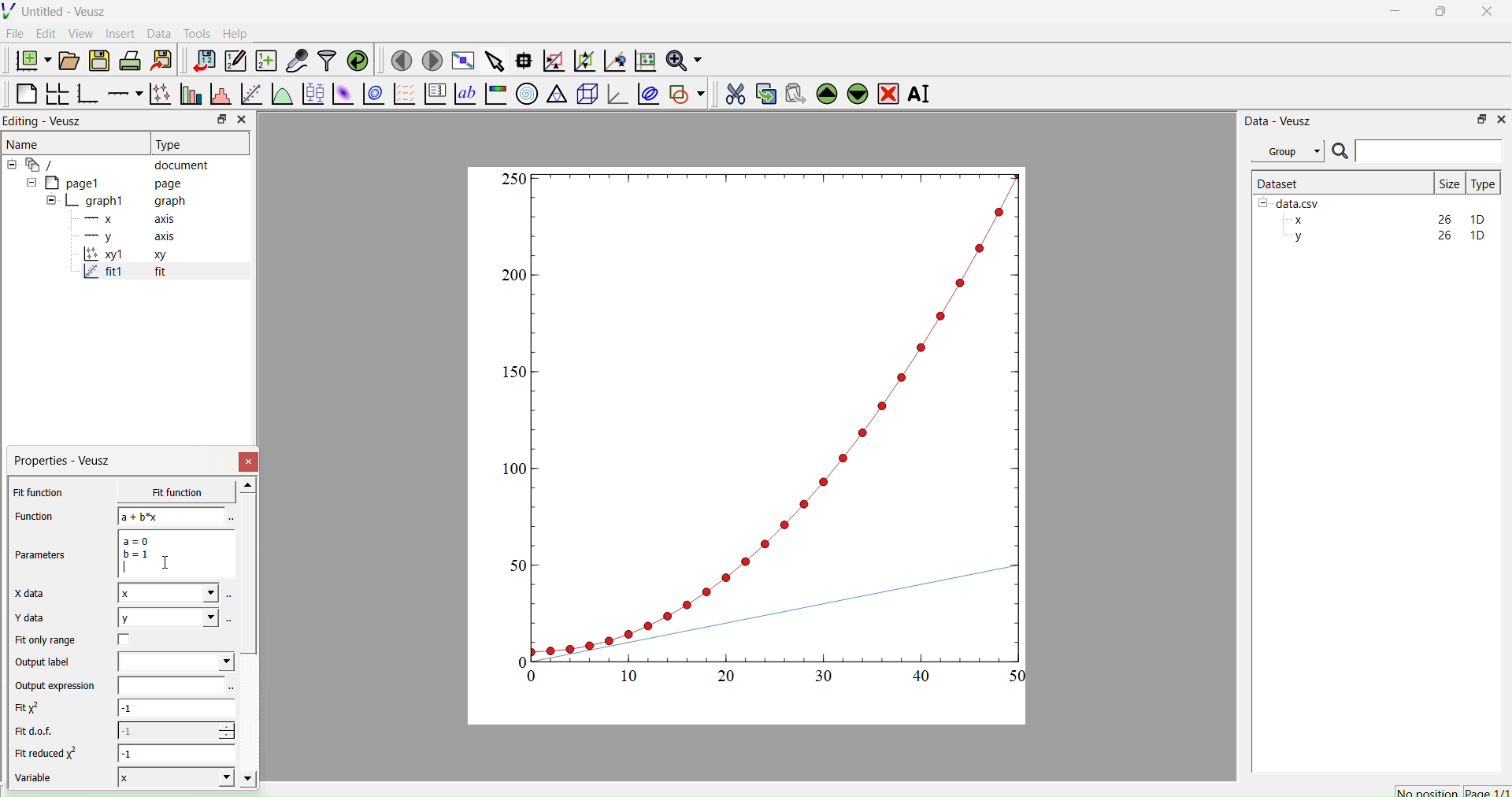  What do you see at coordinates (1385, 220) in the screenshot?
I see `x 26 1D` at bounding box center [1385, 220].